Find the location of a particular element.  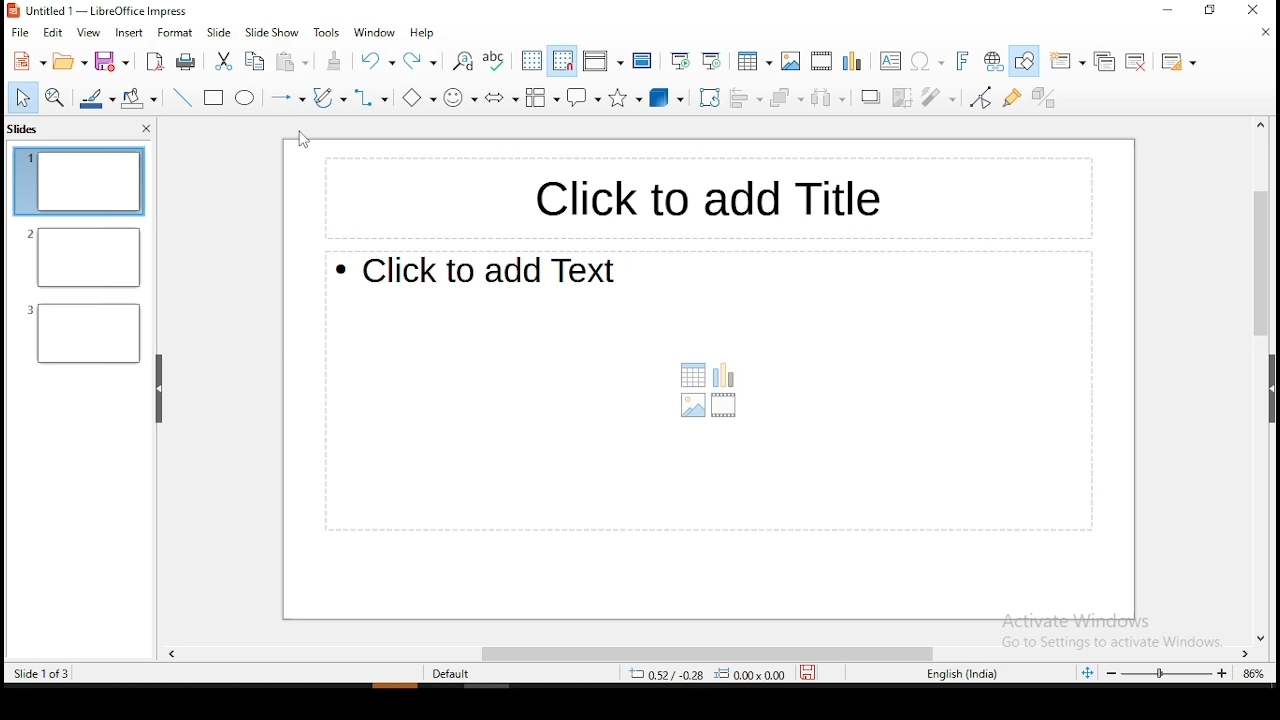

slide 3 is located at coordinates (86, 331).